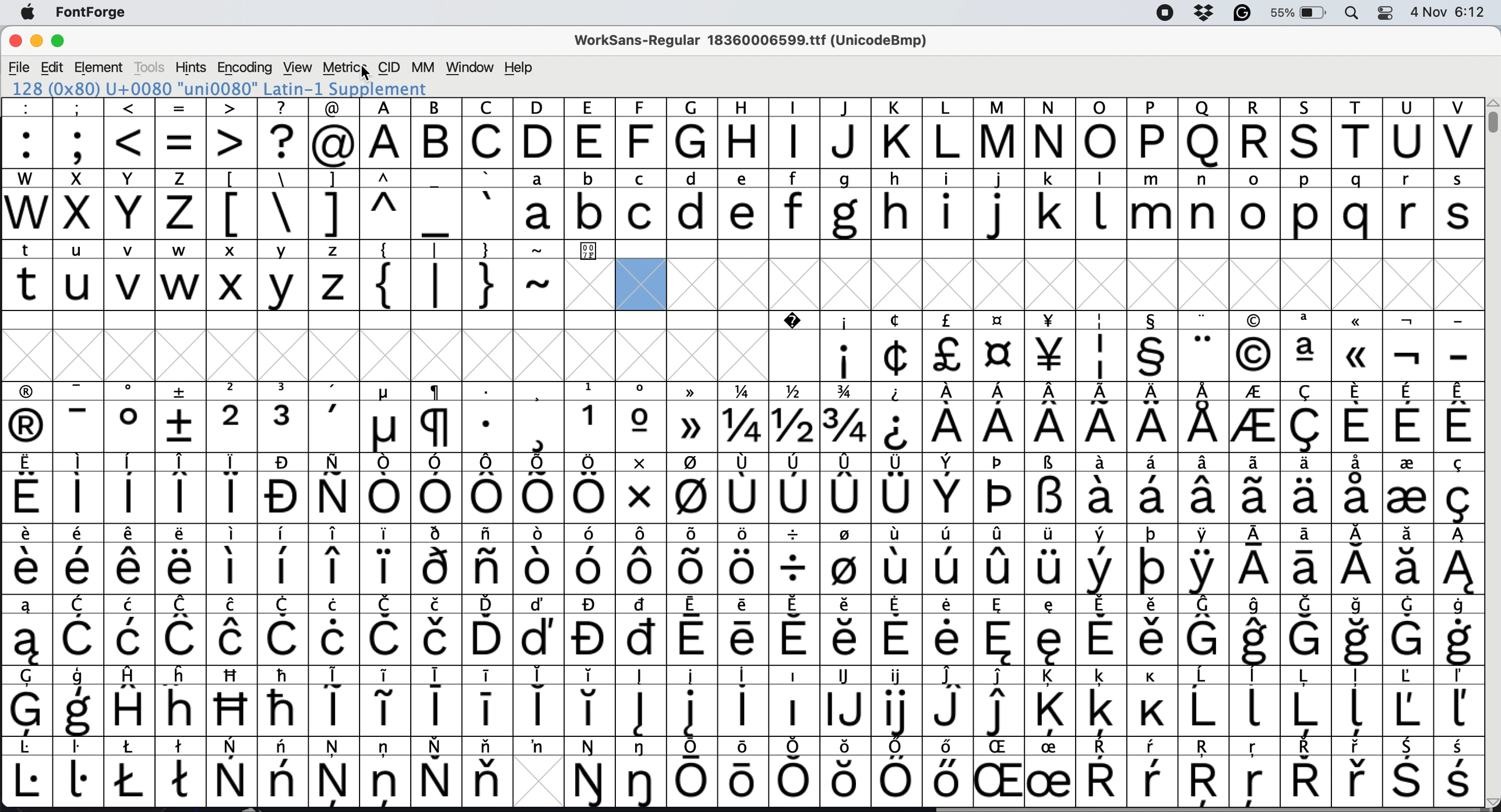 This screenshot has height=812, width=1501. Describe the element at coordinates (390, 68) in the screenshot. I see `CID` at that location.